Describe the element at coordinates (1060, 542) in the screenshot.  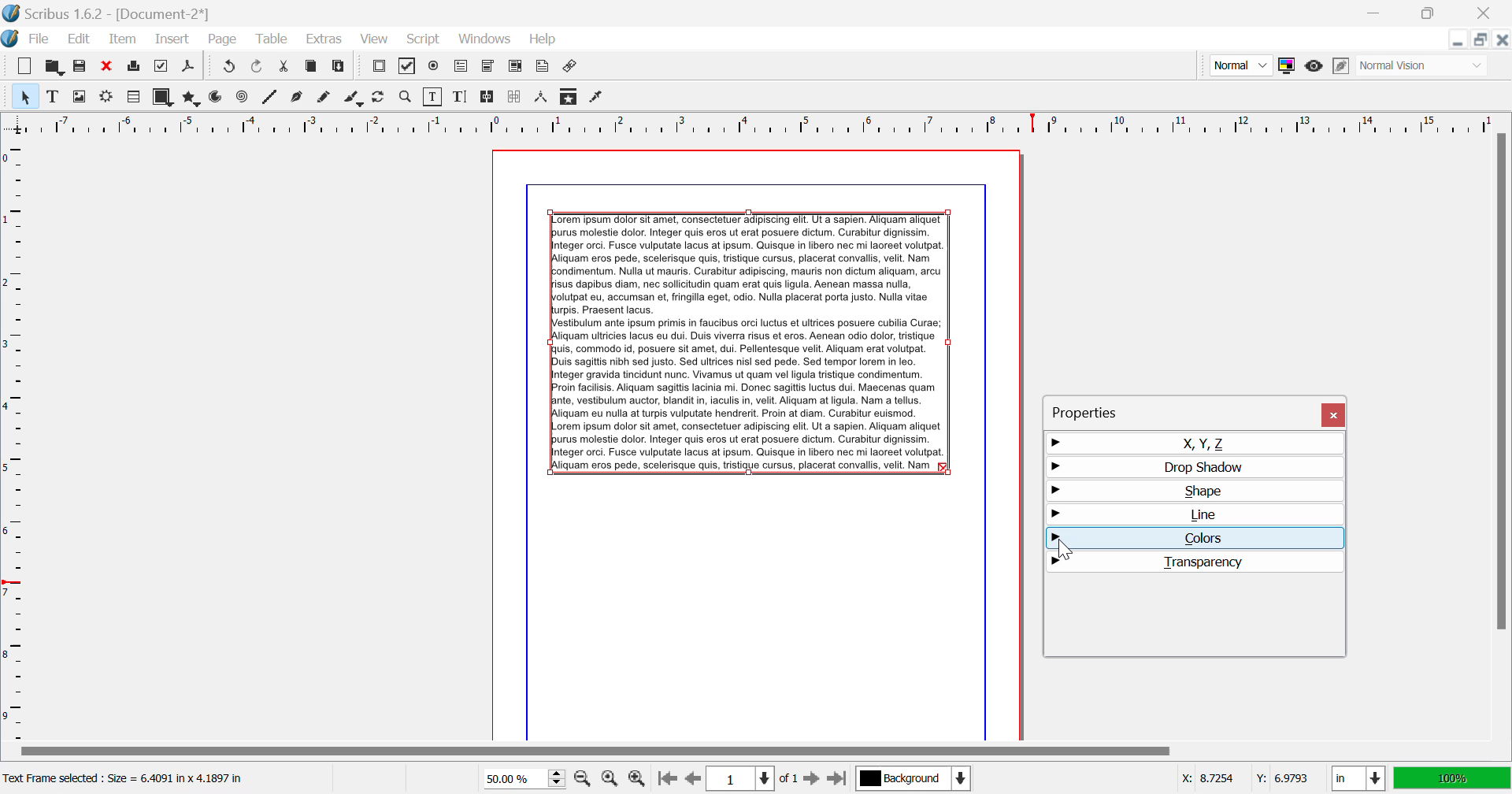
I see `Cursor Position` at that location.